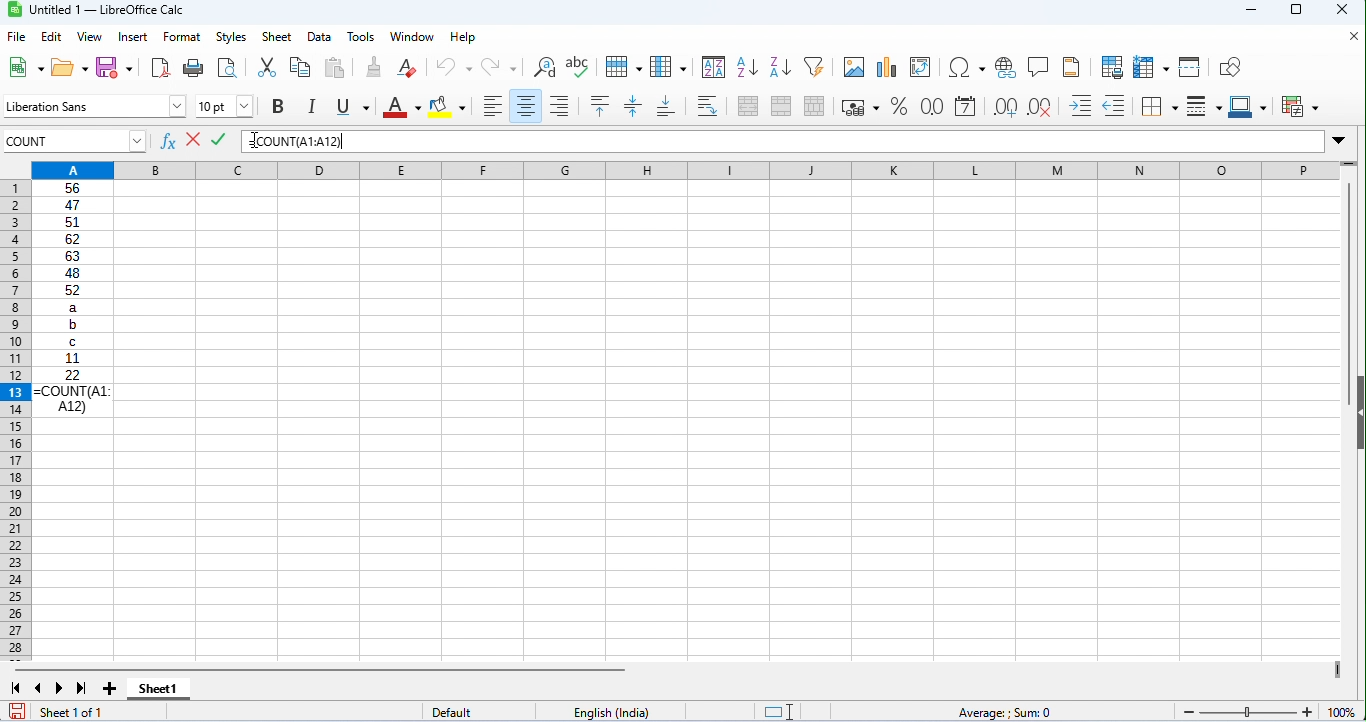 Image resolution: width=1366 pixels, height=722 pixels. What do you see at coordinates (966, 106) in the screenshot?
I see `format as date` at bounding box center [966, 106].